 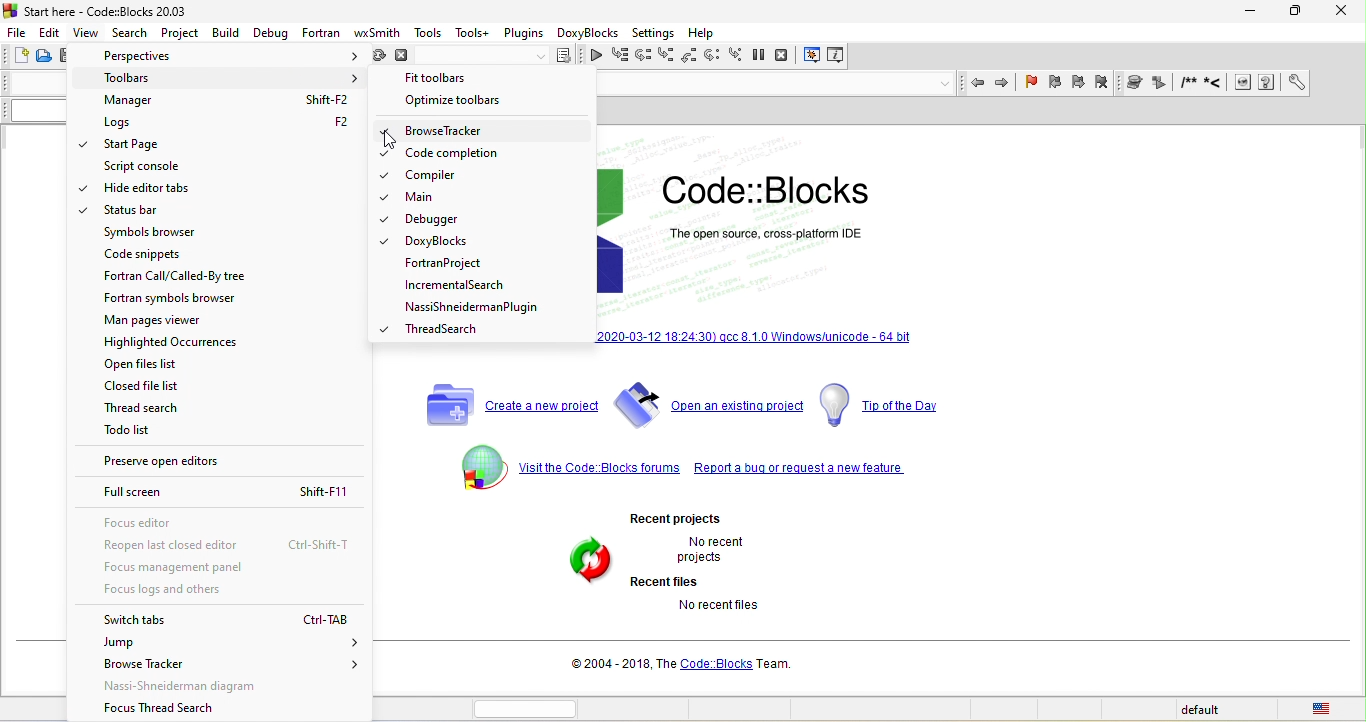 What do you see at coordinates (177, 276) in the screenshot?
I see `fortran call/called by free` at bounding box center [177, 276].